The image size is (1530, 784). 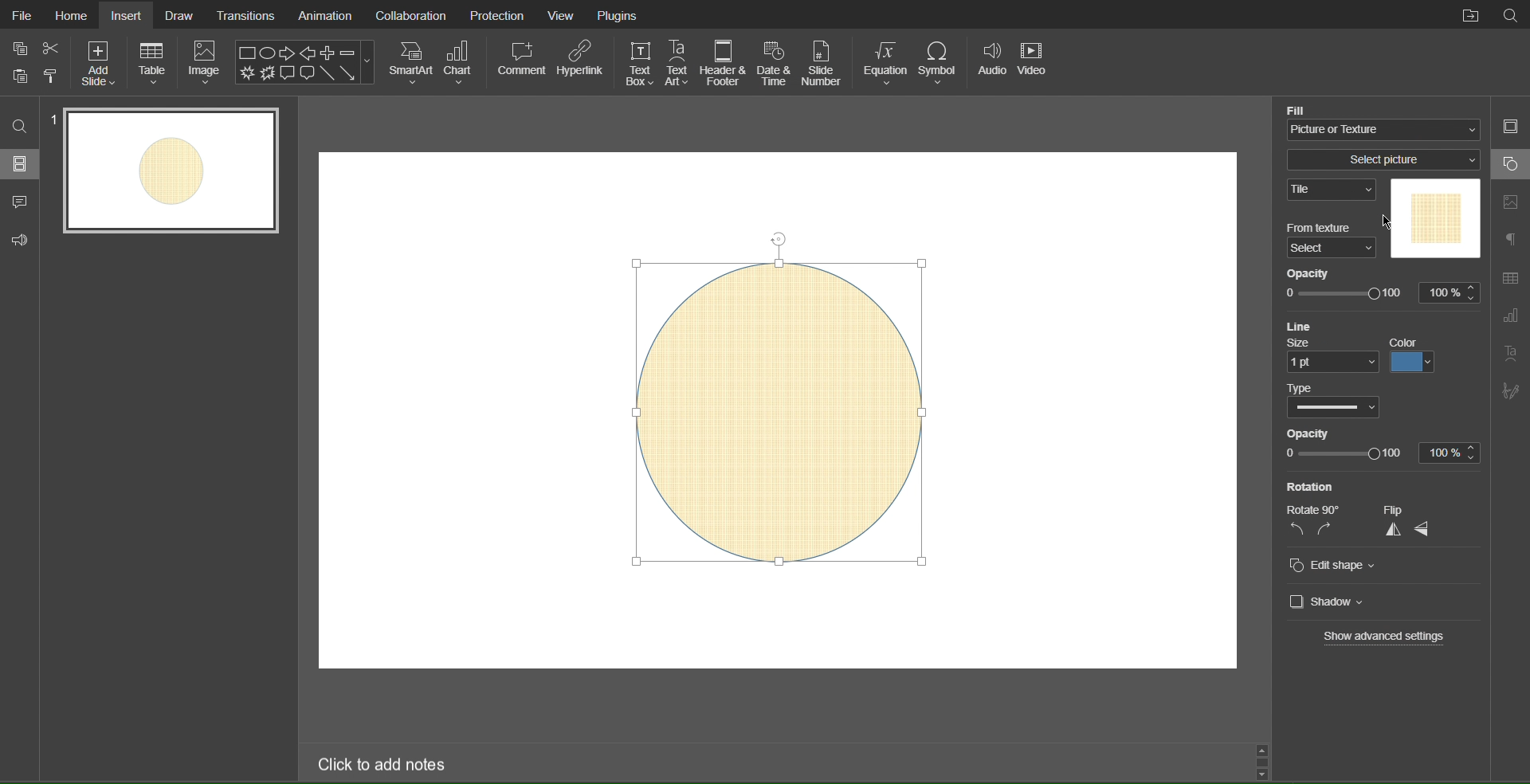 I want to click on select, so click(x=1331, y=249).